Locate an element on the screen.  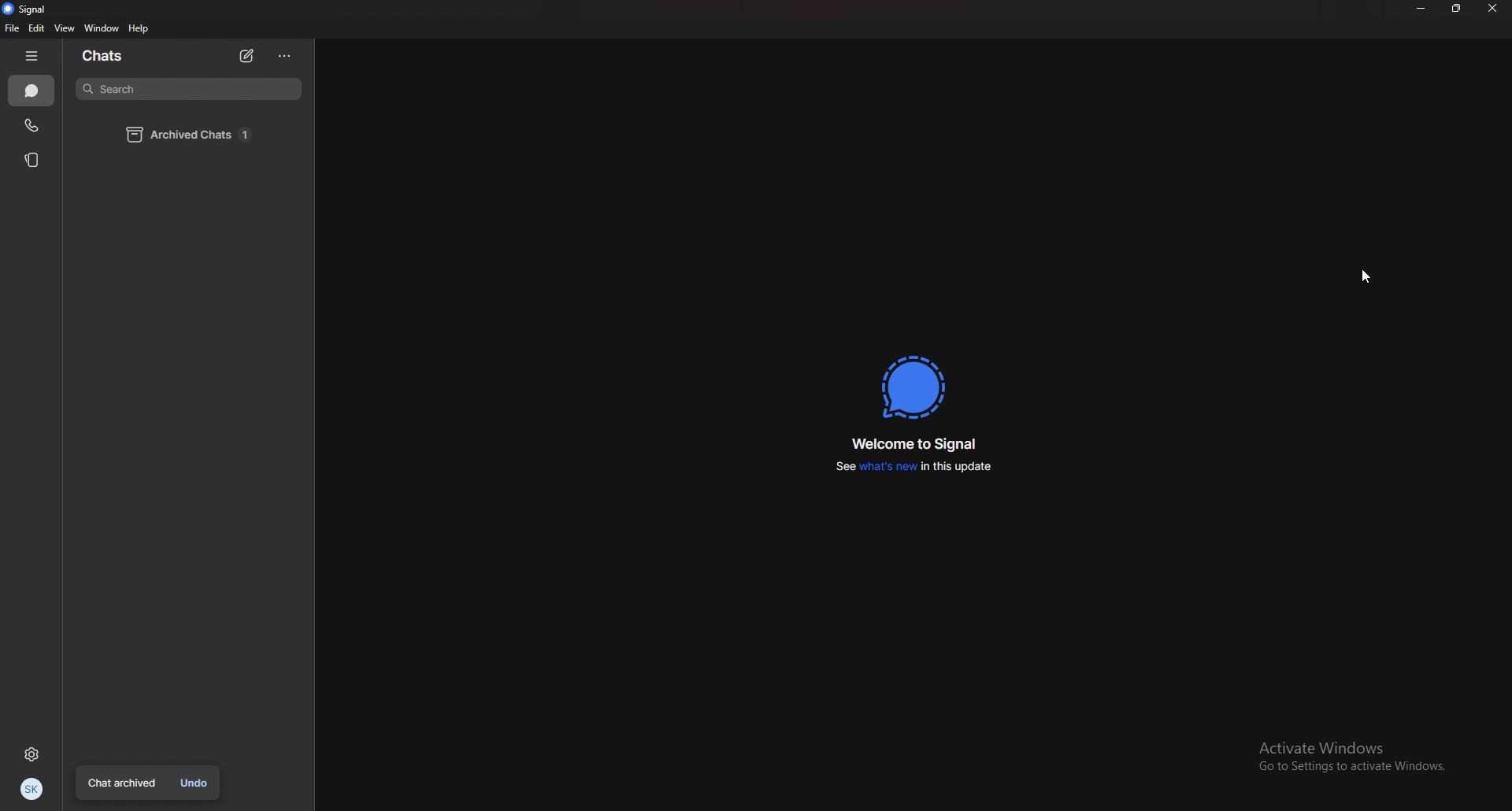
See whats new in this update is located at coordinates (915, 467).